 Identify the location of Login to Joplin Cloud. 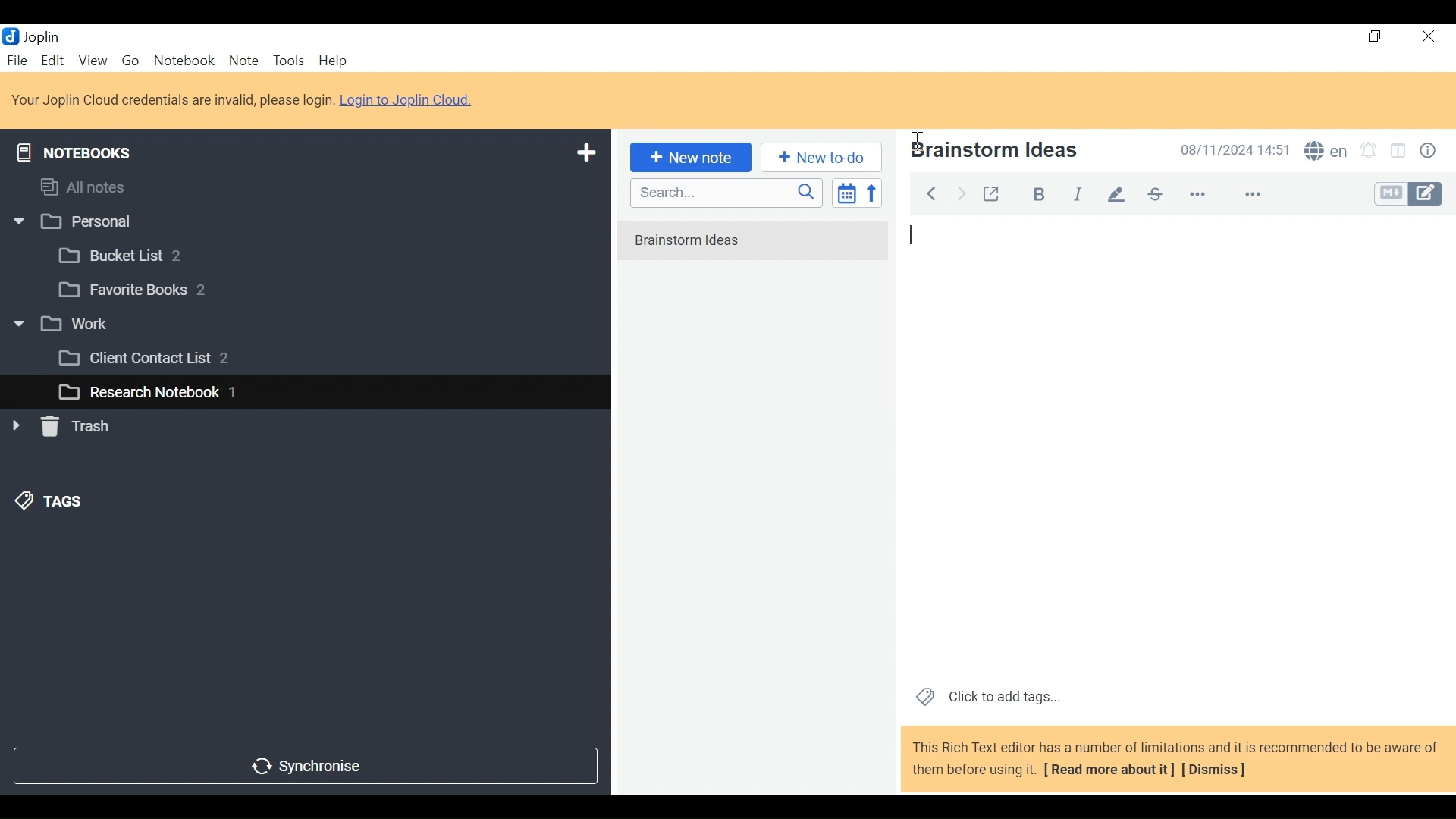
(172, 100).